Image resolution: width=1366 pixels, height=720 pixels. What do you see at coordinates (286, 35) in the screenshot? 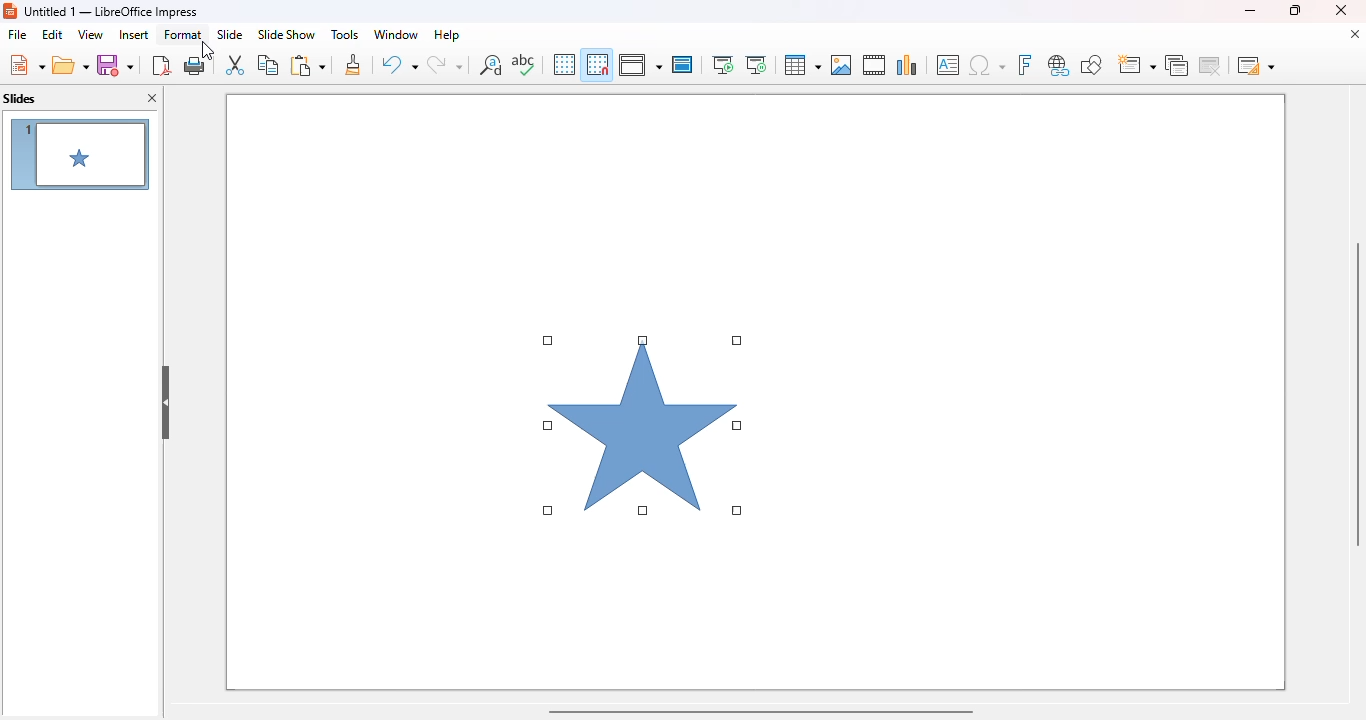
I see `slide show` at bounding box center [286, 35].